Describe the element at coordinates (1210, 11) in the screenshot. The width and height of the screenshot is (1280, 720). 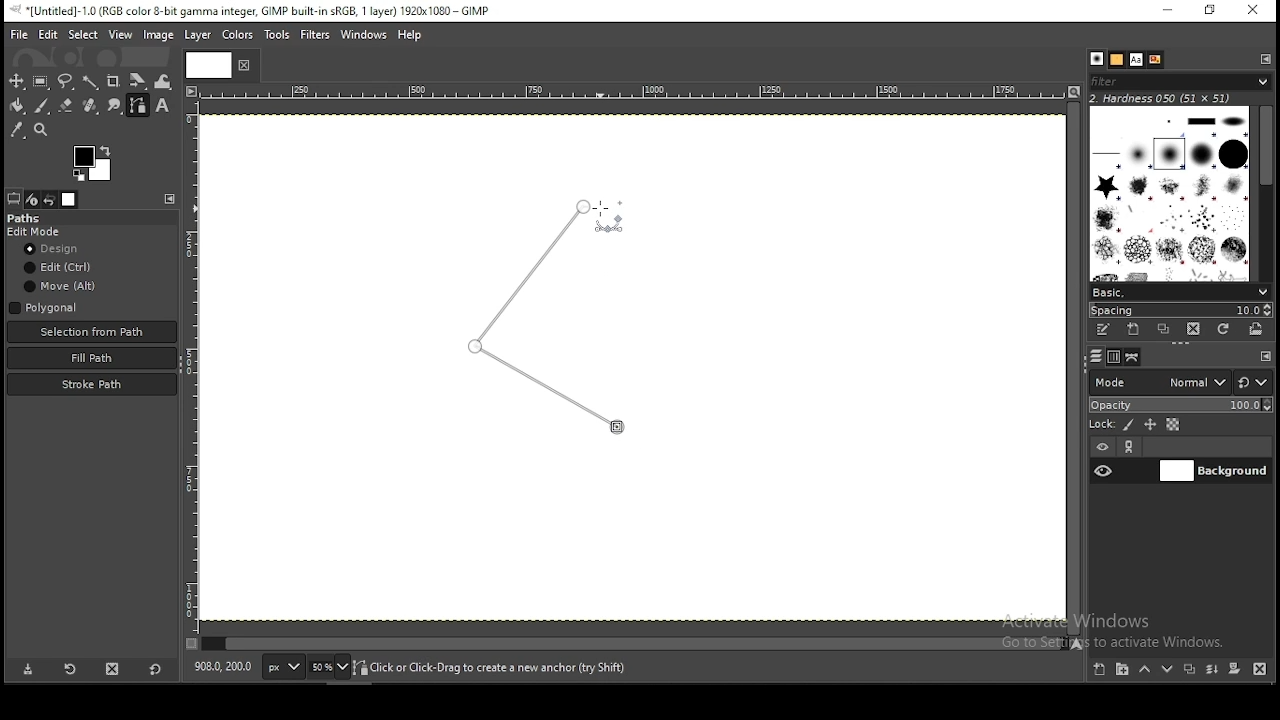
I see `restore` at that location.